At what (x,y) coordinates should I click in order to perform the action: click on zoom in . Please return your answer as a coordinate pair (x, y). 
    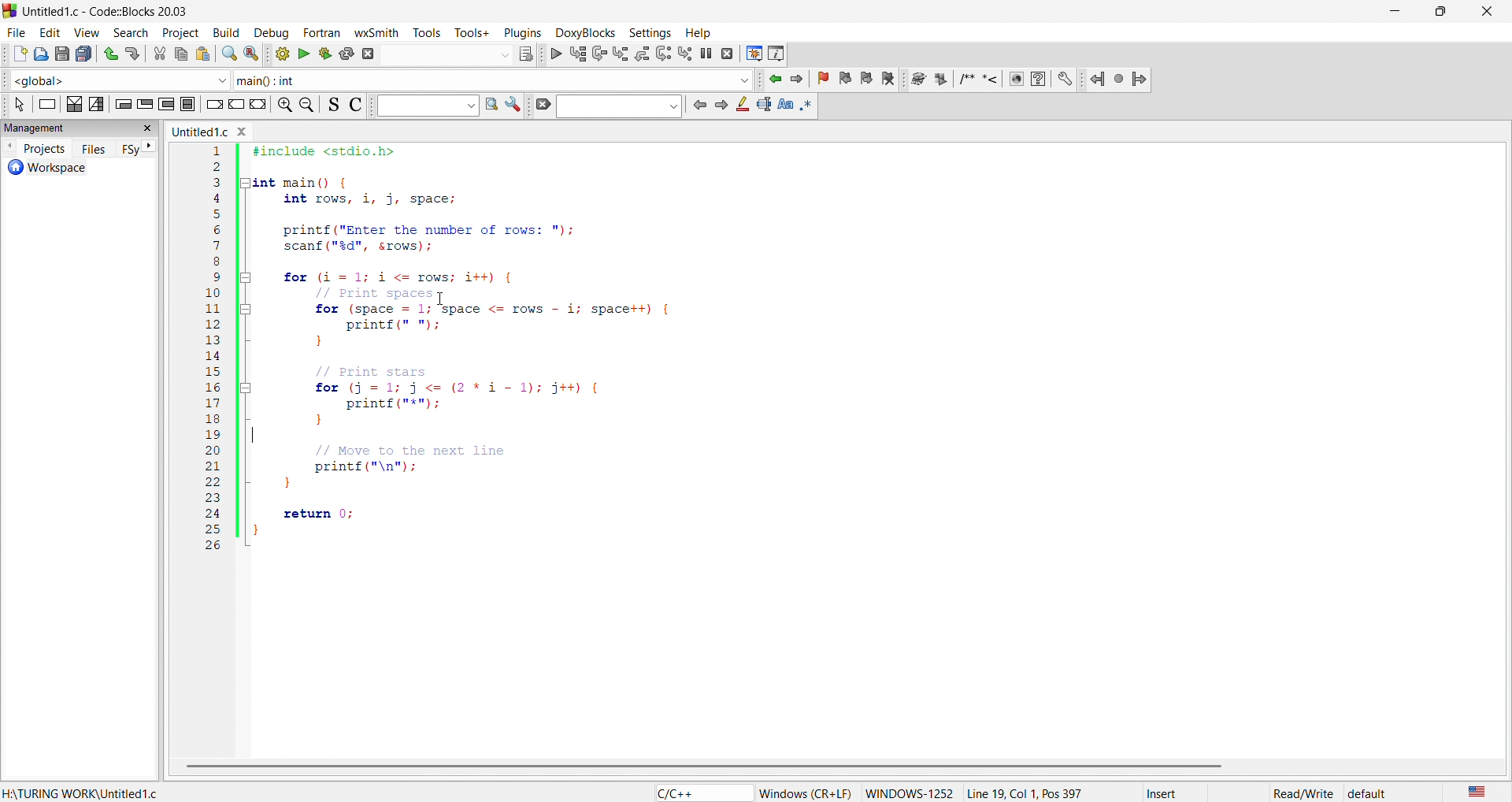
    Looking at the image, I should click on (283, 104).